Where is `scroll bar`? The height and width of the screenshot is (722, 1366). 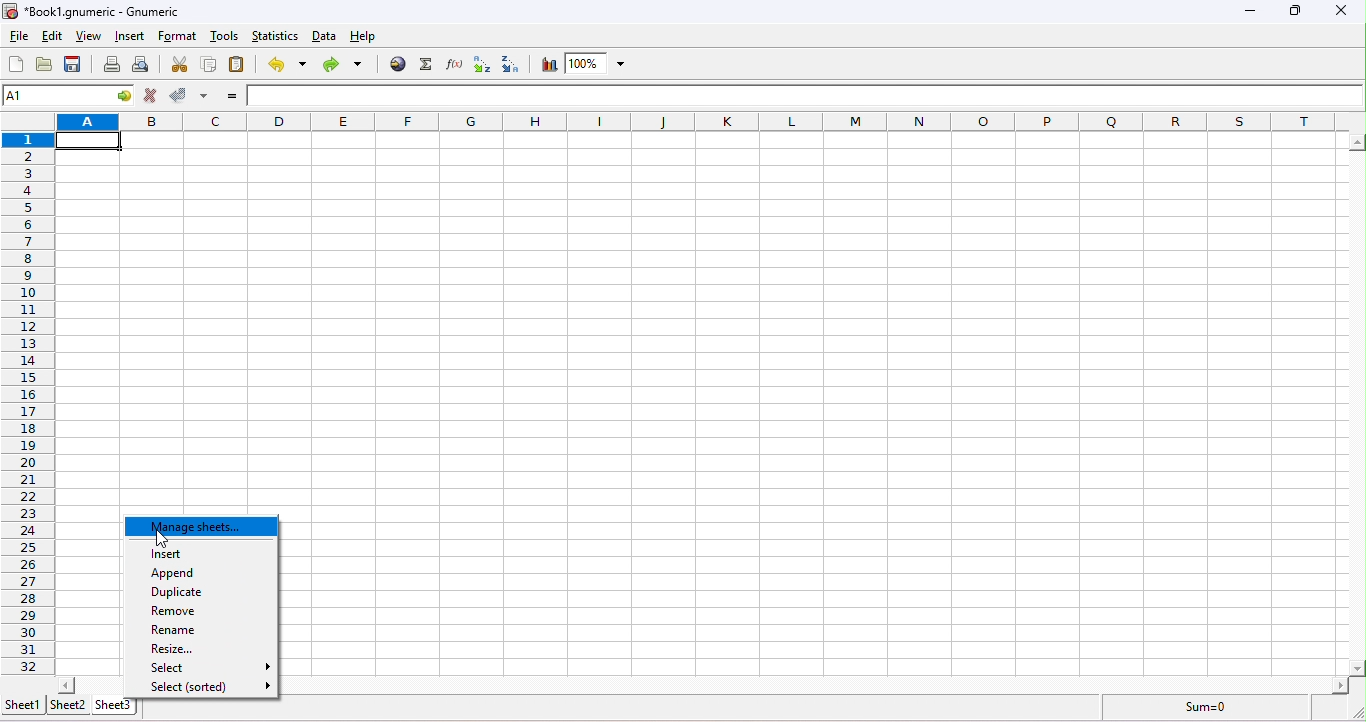 scroll bar is located at coordinates (818, 684).